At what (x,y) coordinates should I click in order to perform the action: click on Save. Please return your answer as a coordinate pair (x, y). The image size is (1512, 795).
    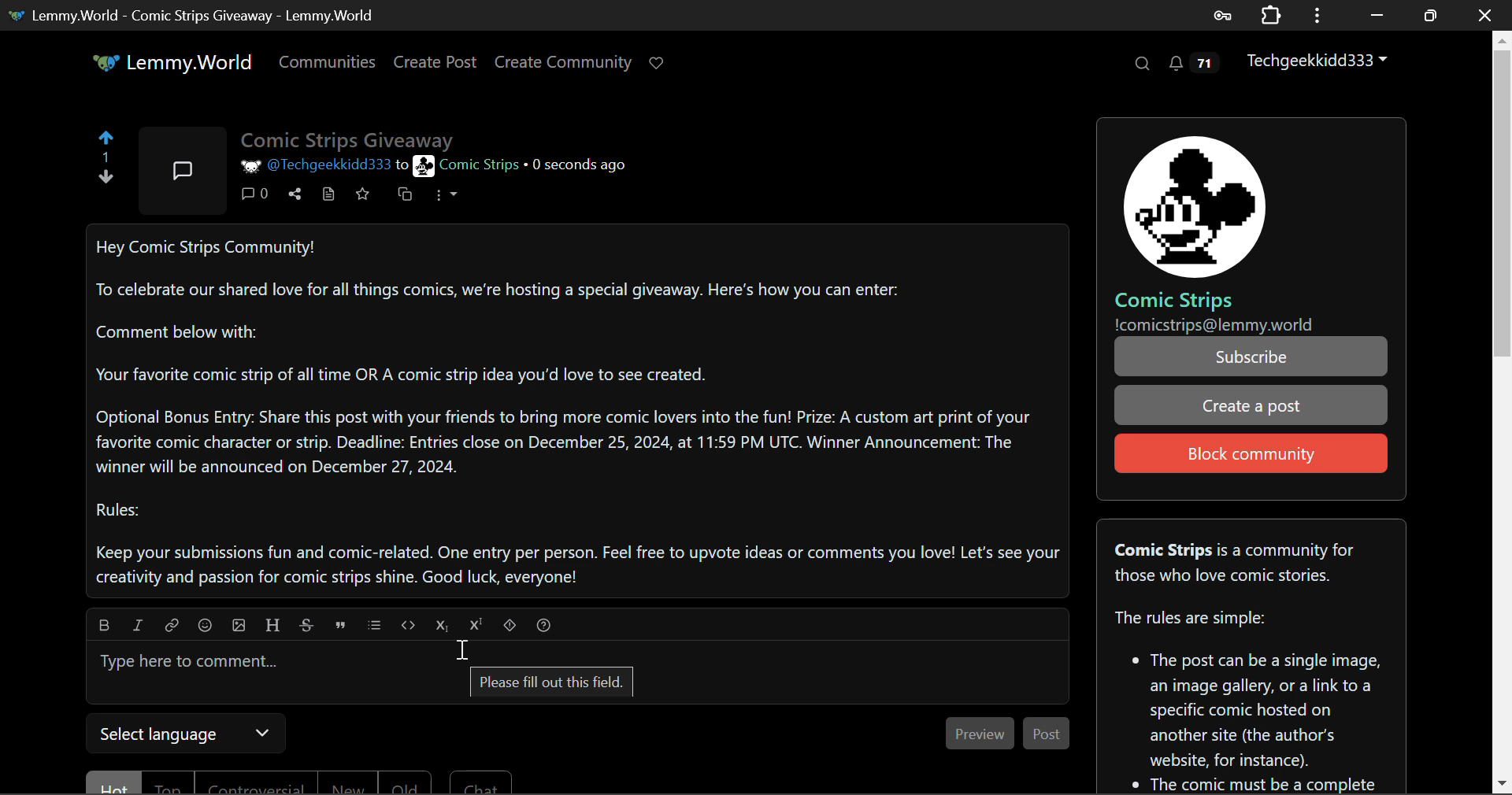
    Looking at the image, I should click on (365, 197).